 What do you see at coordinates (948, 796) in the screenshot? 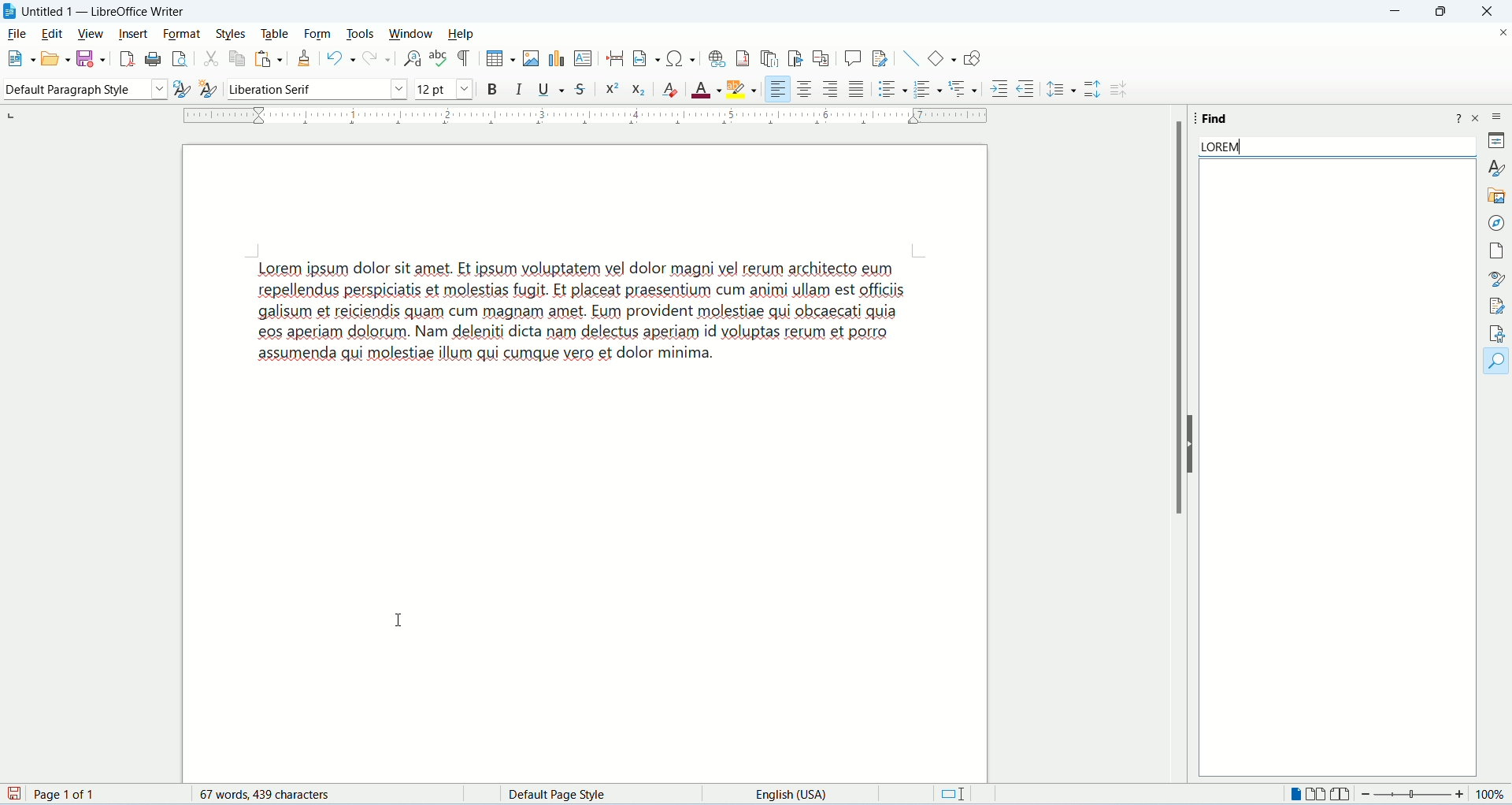
I see `standard selection` at bounding box center [948, 796].